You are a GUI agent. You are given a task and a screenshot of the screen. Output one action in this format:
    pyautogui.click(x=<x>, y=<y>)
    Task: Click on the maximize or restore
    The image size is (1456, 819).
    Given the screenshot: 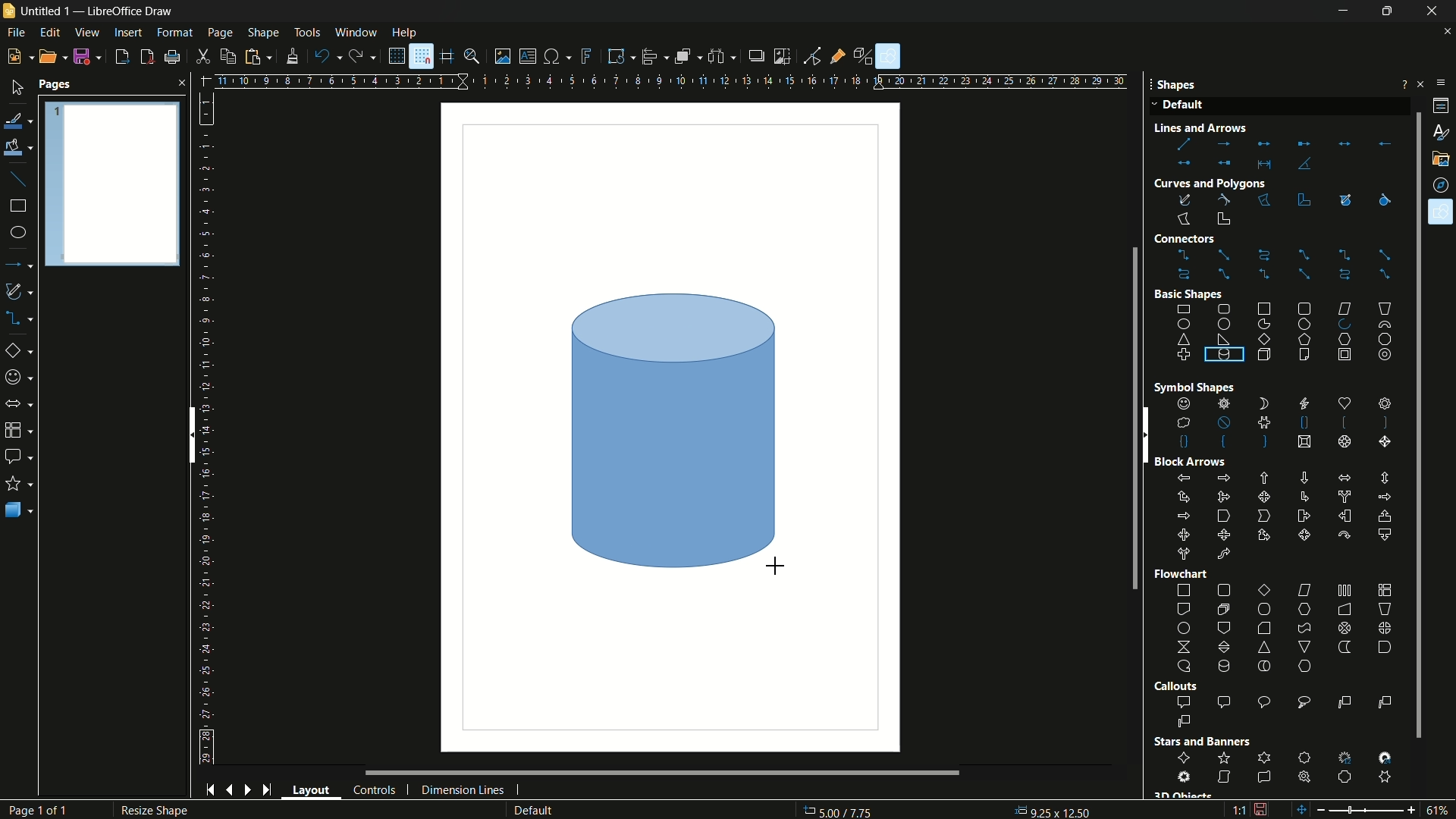 What is the action you would take?
    pyautogui.click(x=1391, y=11)
    